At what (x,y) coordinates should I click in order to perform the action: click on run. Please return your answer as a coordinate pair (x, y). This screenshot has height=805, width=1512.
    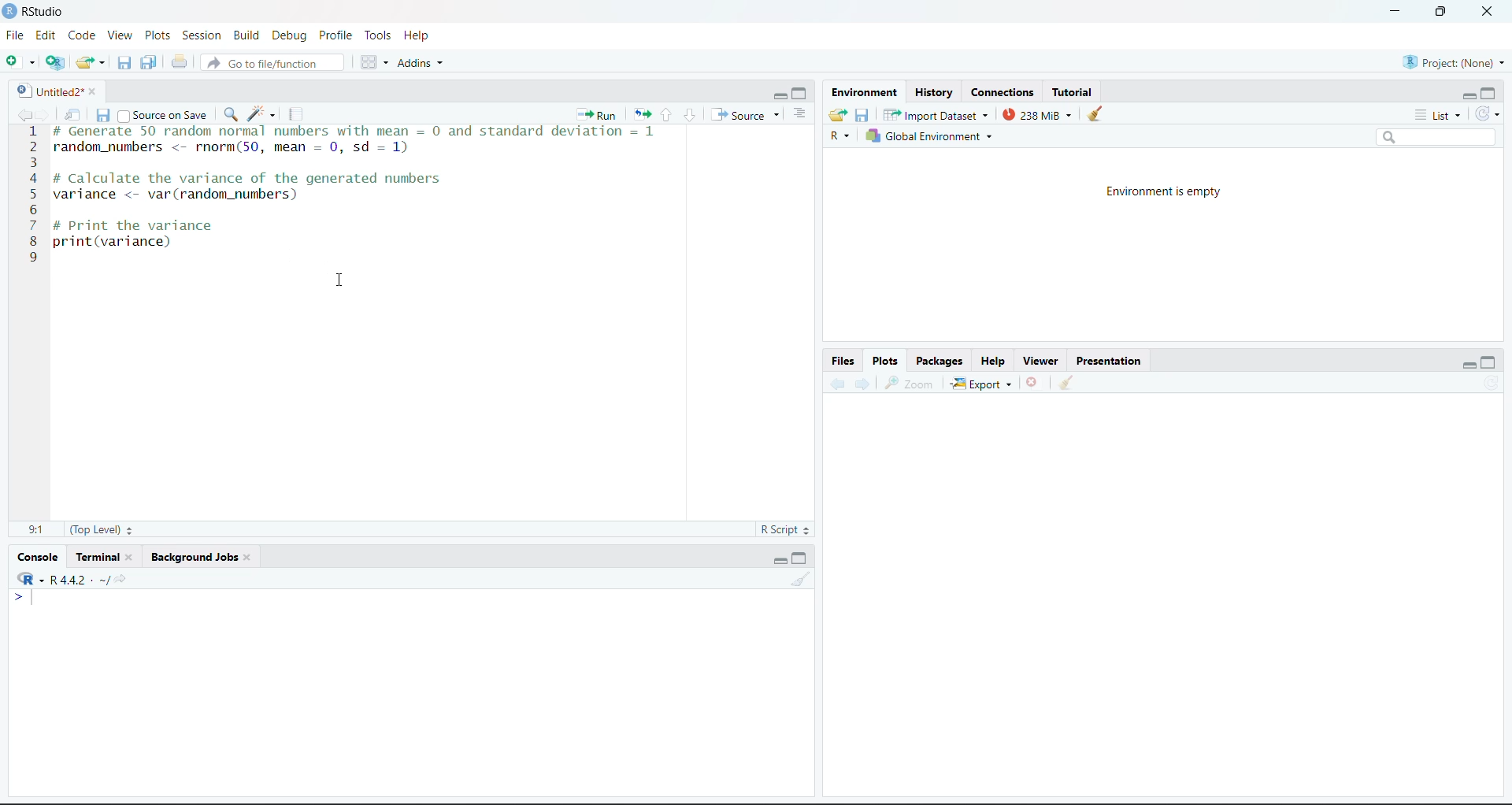
    Looking at the image, I should click on (597, 114).